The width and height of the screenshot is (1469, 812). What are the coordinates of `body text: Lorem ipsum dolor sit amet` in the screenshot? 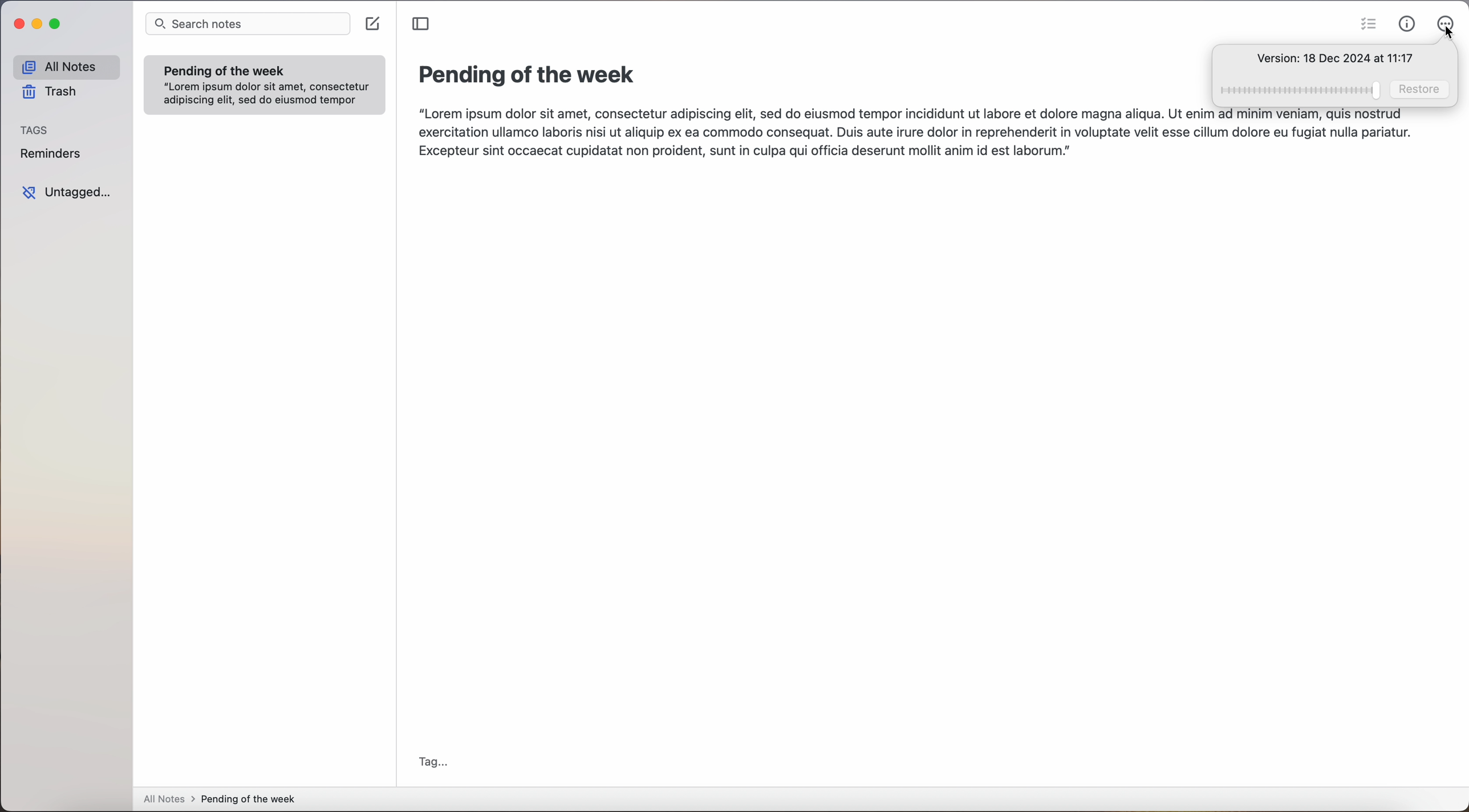 It's located at (914, 132).